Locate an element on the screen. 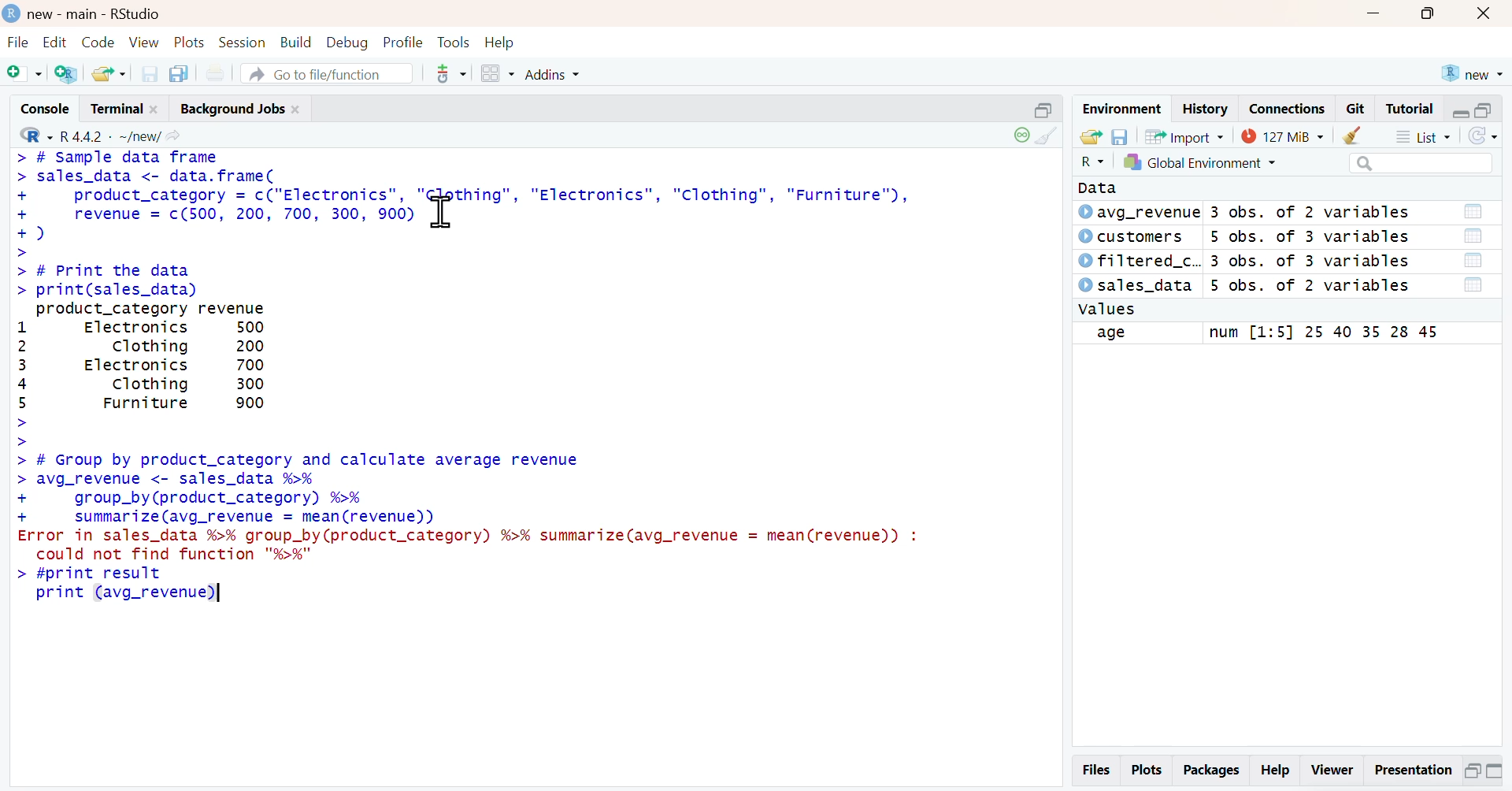  values is located at coordinates (1108, 310).